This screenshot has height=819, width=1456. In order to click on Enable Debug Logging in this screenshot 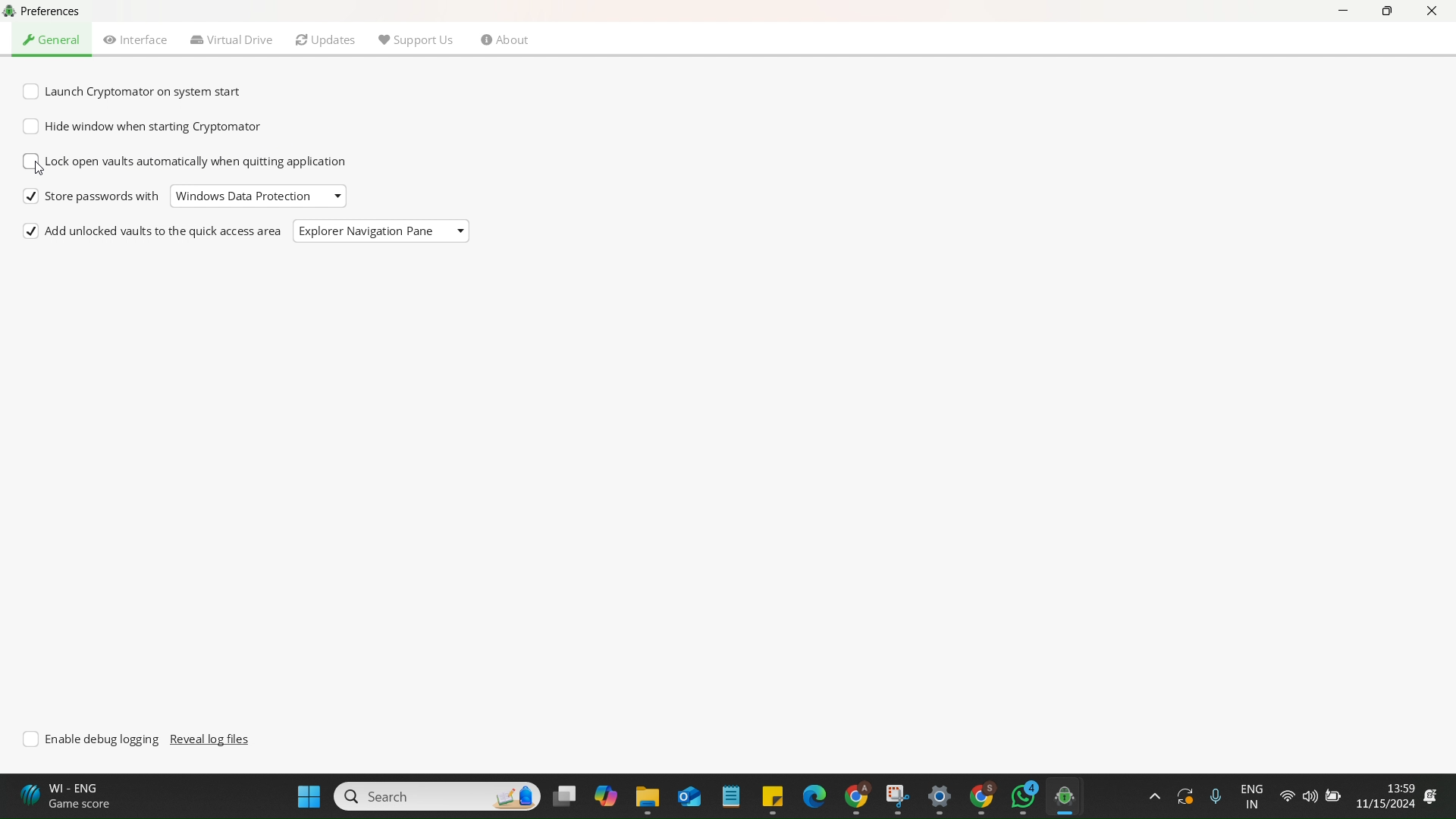, I will do `click(94, 739)`.